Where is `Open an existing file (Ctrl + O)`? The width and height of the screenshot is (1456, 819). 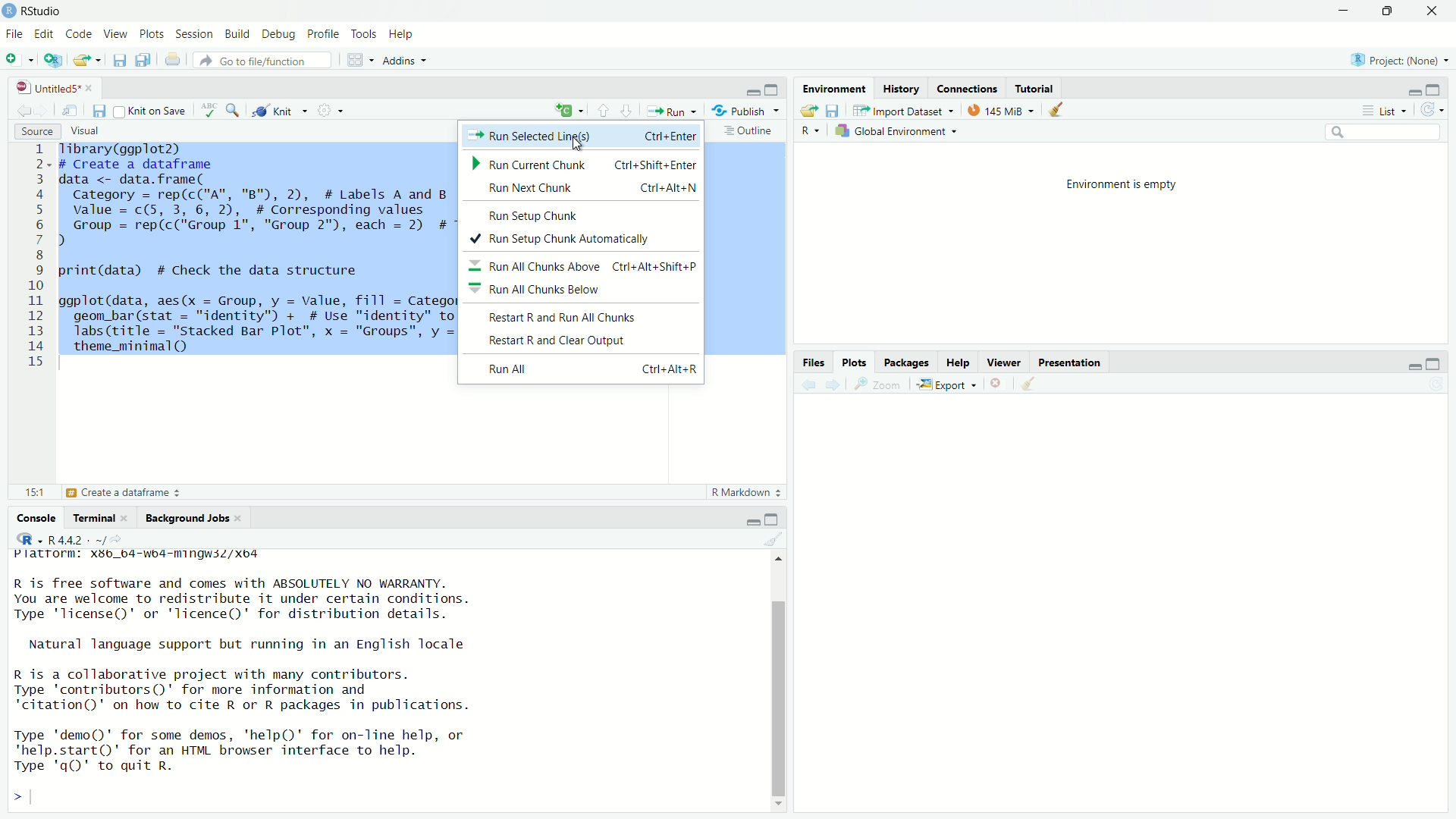
Open an existing file (Ctrl + O) is located at coordinates (87, 59).